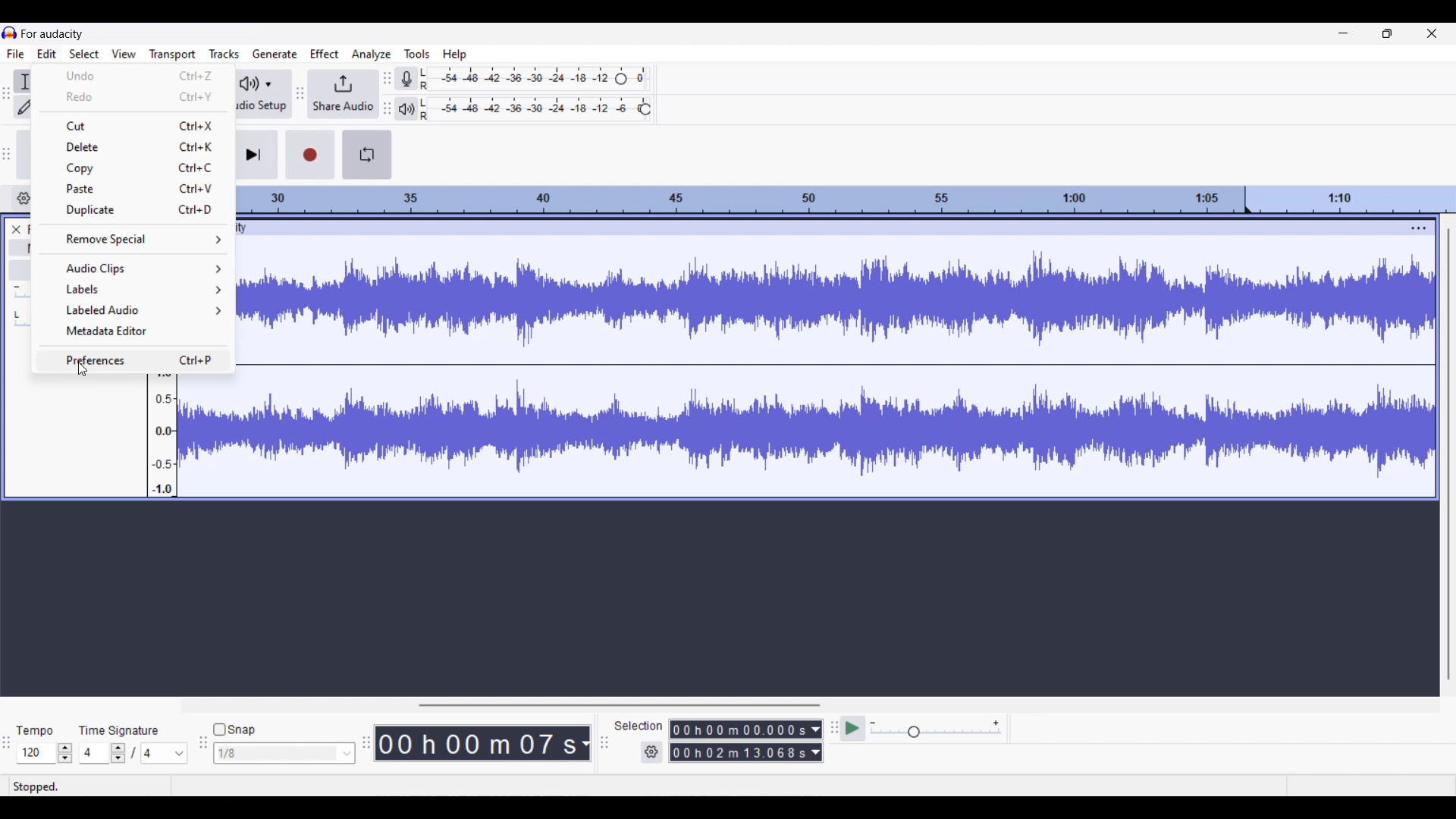  What do you see at coordinates (45, 753) in the screenshot?
I see `Tempo settings` at bounding box center [45, 753].